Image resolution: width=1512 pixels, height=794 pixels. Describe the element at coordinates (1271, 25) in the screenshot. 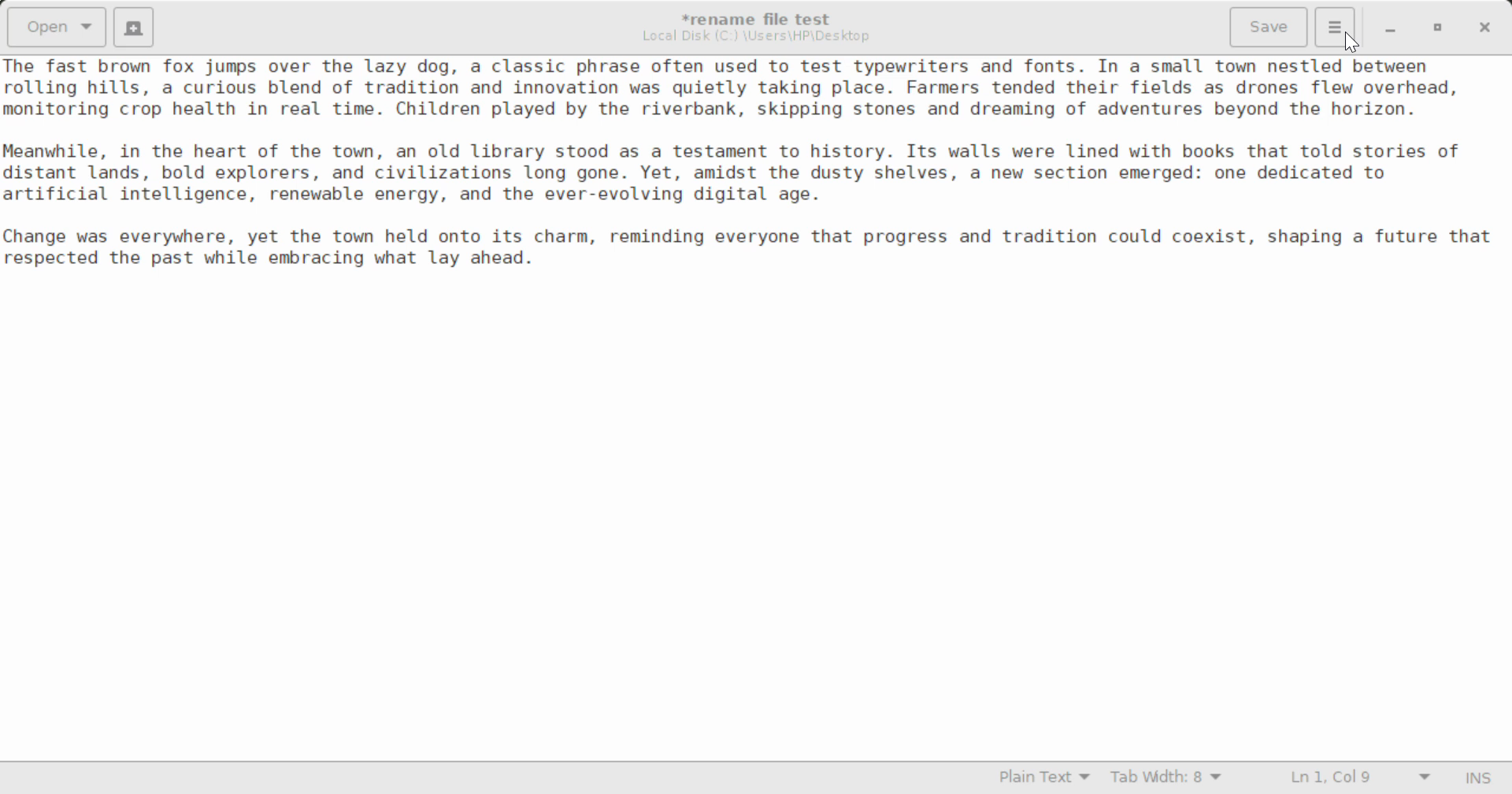

I see `Save File` at that location.